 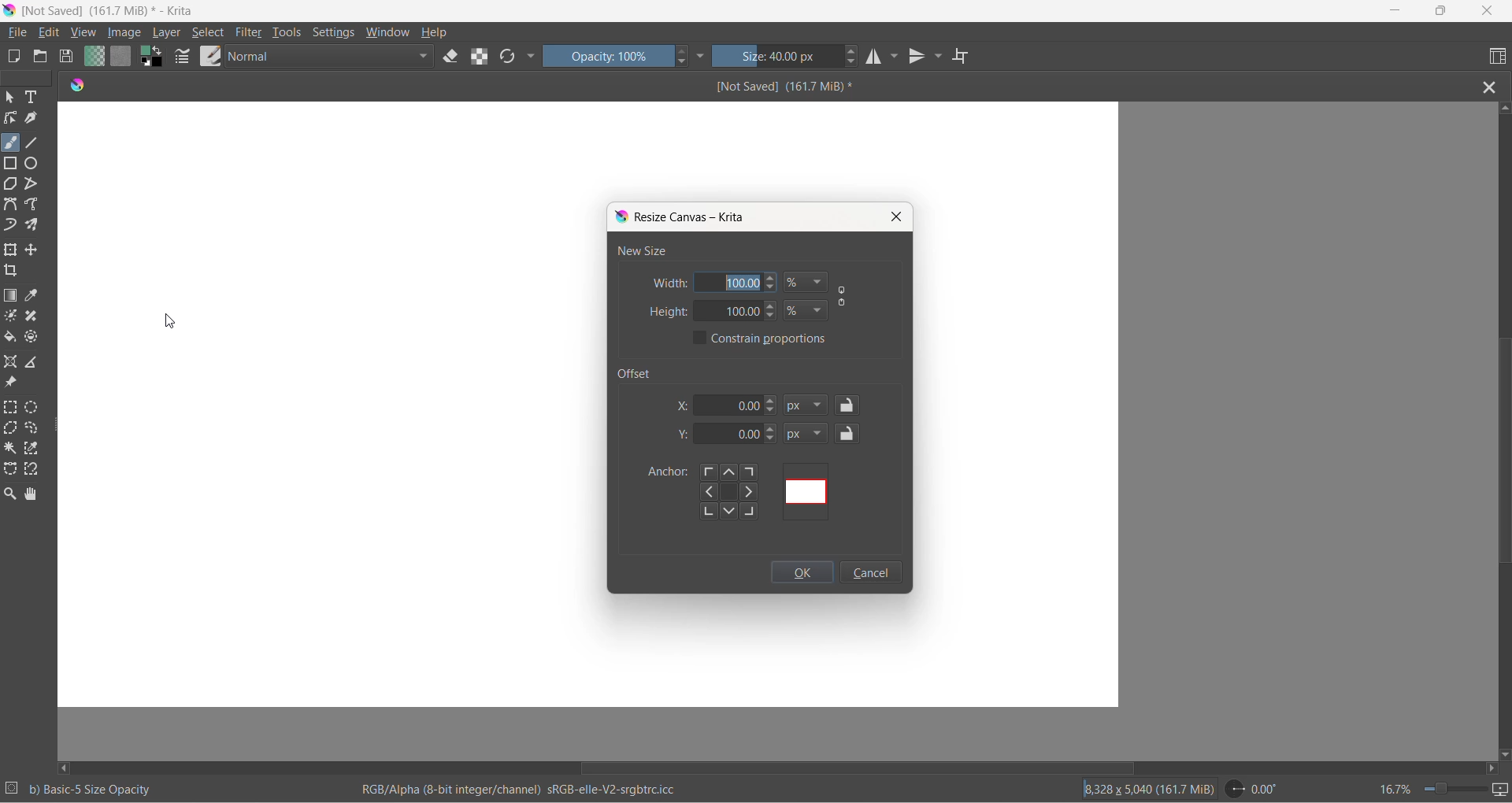 I want to click on constant proportions, so click(x=774, y=339).